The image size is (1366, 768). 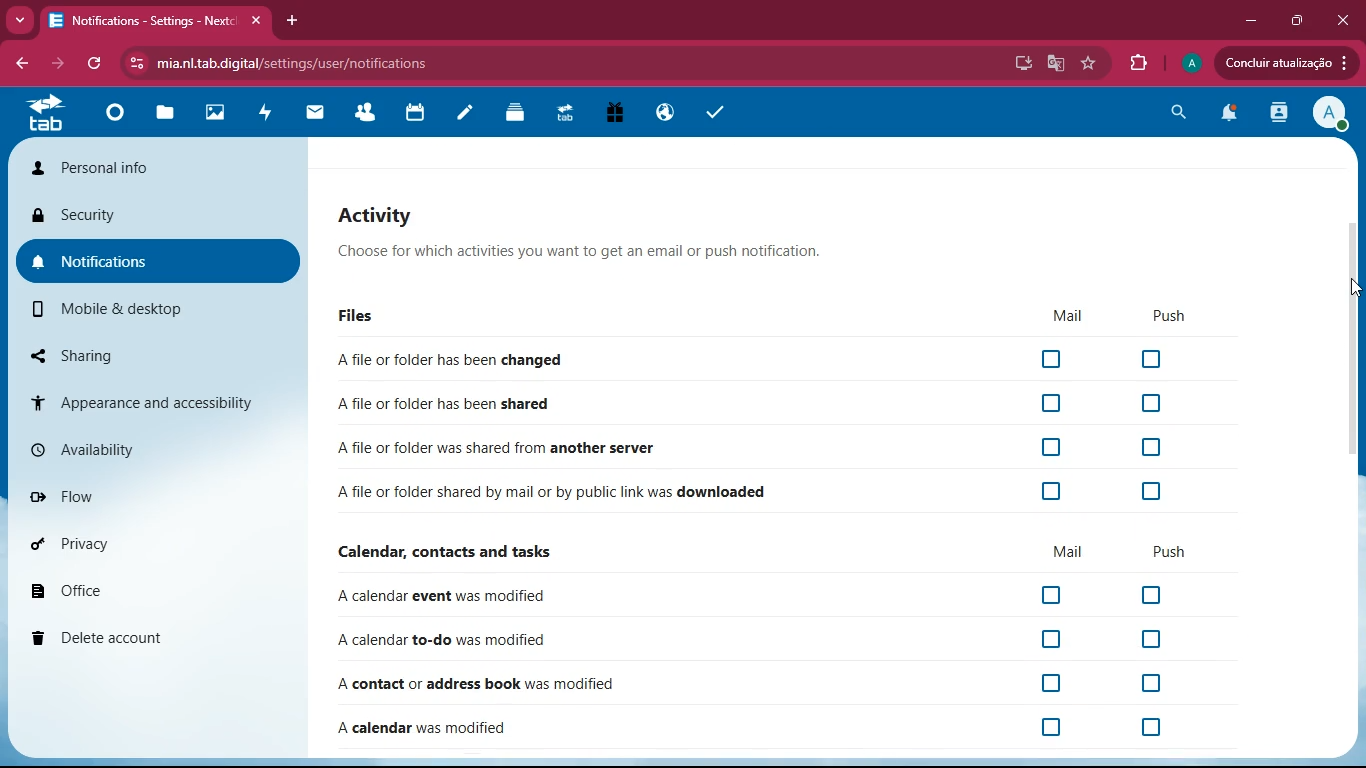 What do you see at coordinates (1055, 65) in the screenshot?
I see `google translate` at bounding box center [1055, 65].